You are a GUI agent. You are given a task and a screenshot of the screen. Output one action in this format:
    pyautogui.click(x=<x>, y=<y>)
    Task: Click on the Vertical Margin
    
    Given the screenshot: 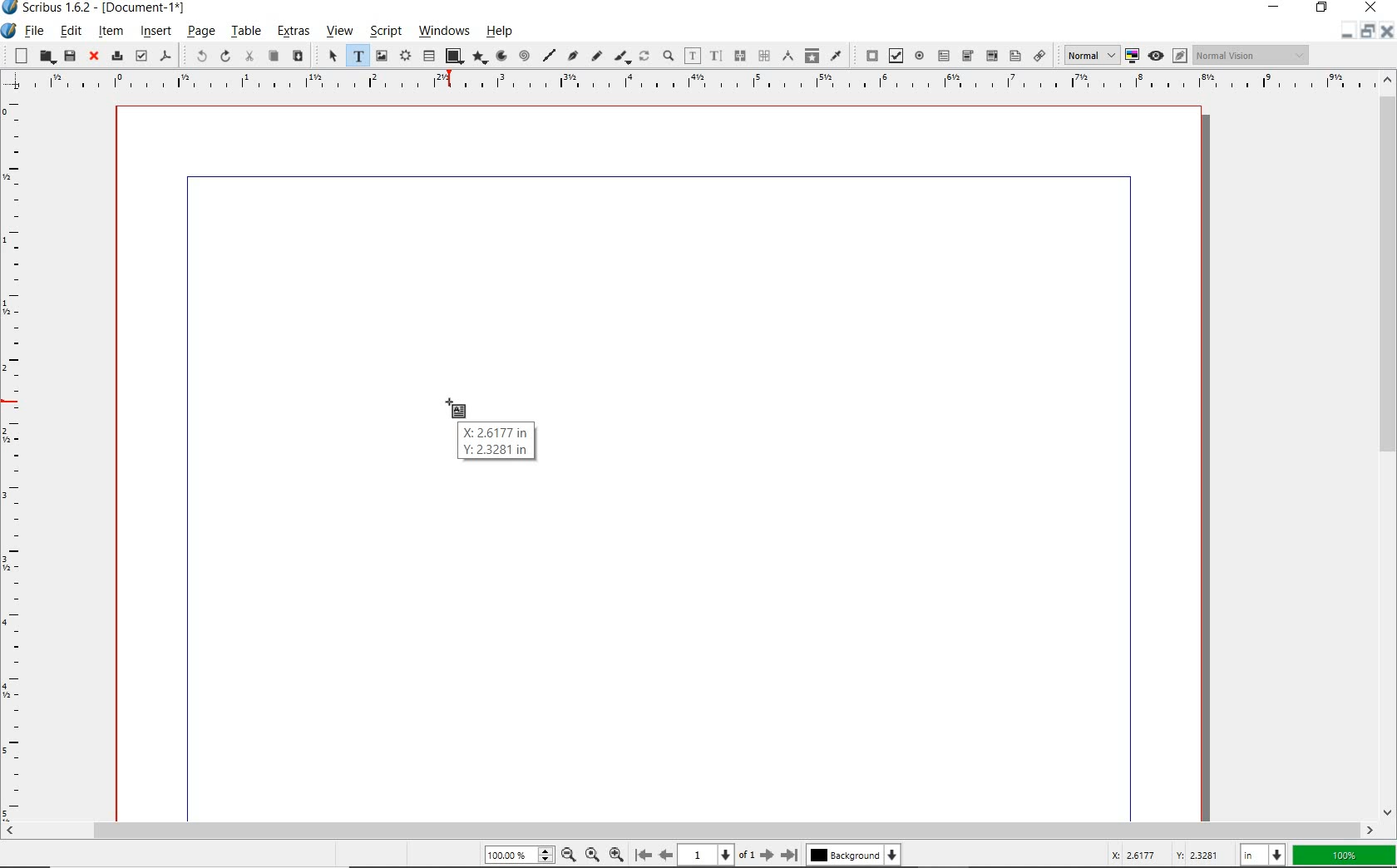 What is the action you would take?
    pyautogui.click(x=19, y=457)
    